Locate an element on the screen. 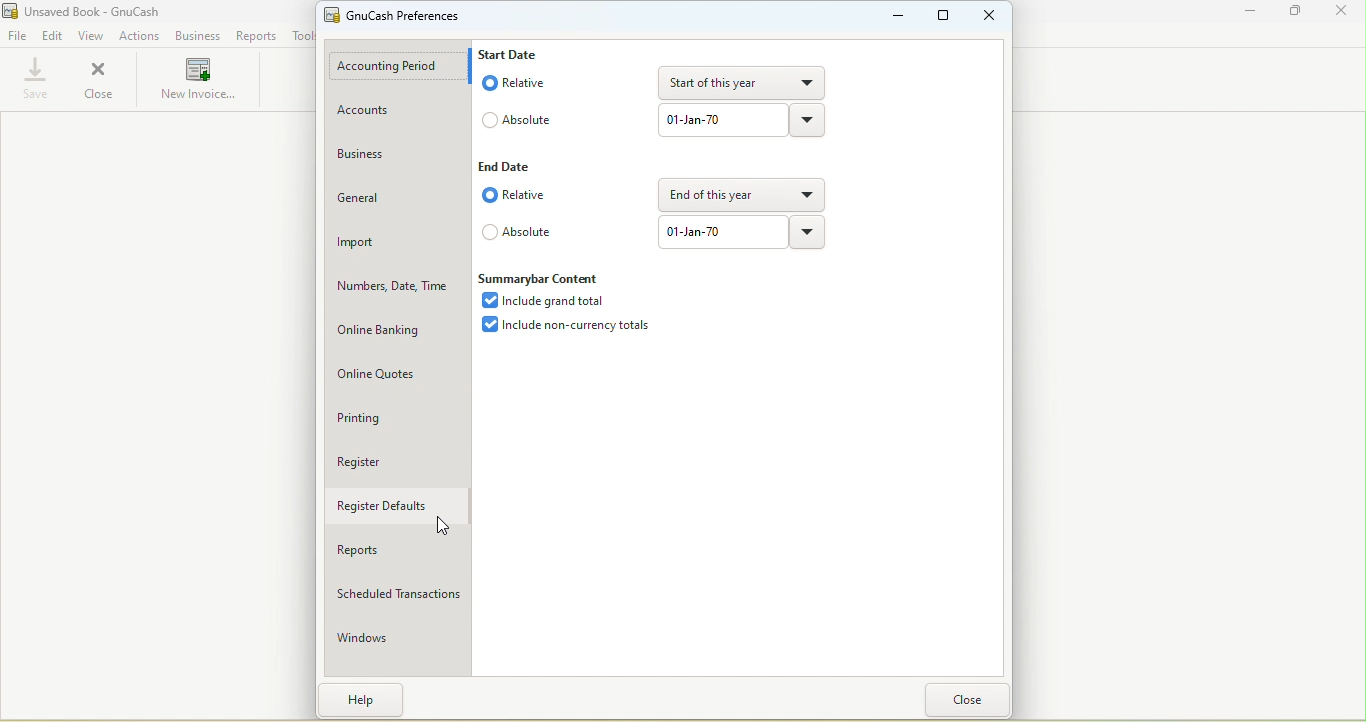 The height and width of the screenshot is (722, 1366). Help is located at coordinates (362, 701).